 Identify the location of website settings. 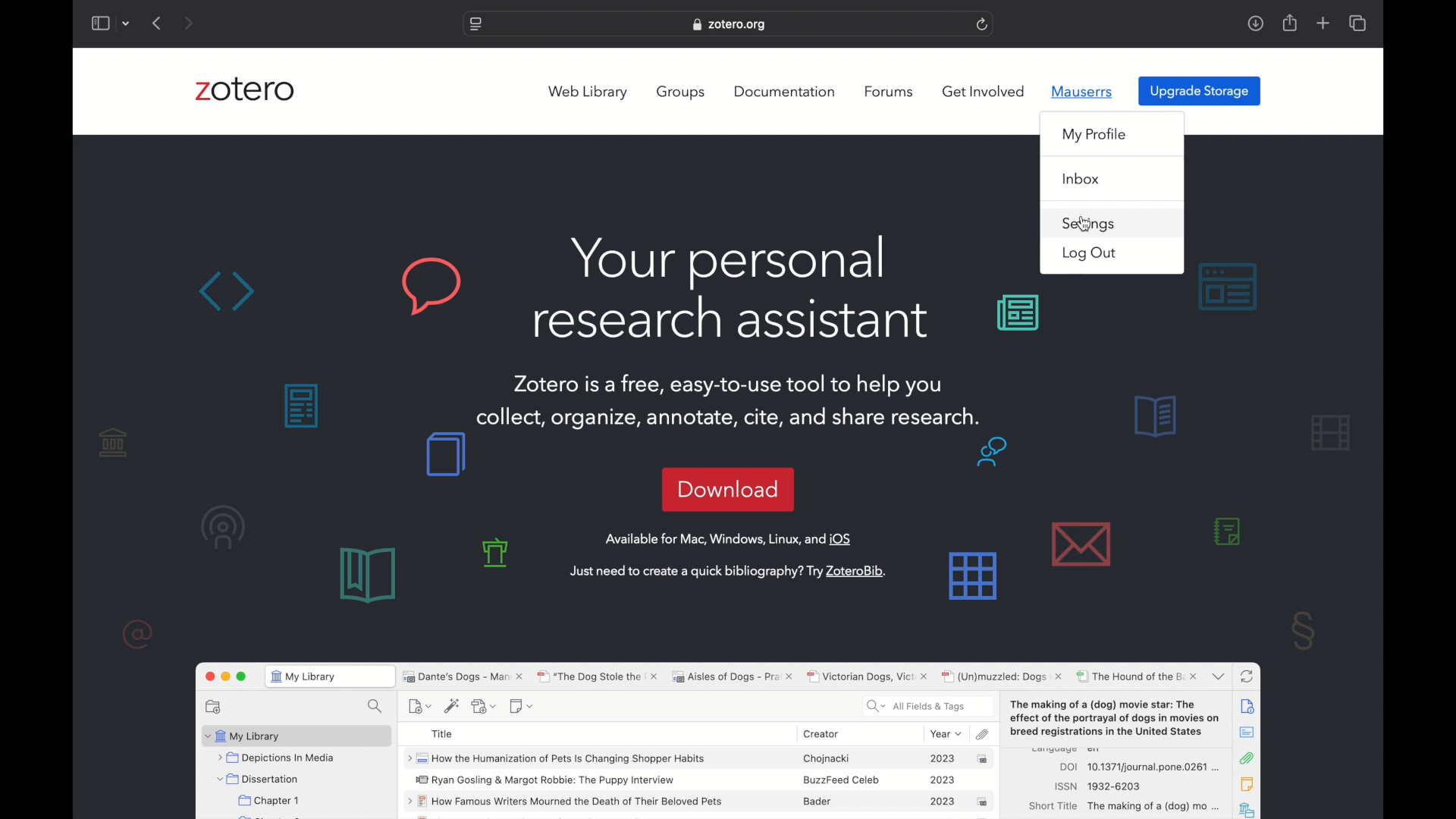
(474, 25).